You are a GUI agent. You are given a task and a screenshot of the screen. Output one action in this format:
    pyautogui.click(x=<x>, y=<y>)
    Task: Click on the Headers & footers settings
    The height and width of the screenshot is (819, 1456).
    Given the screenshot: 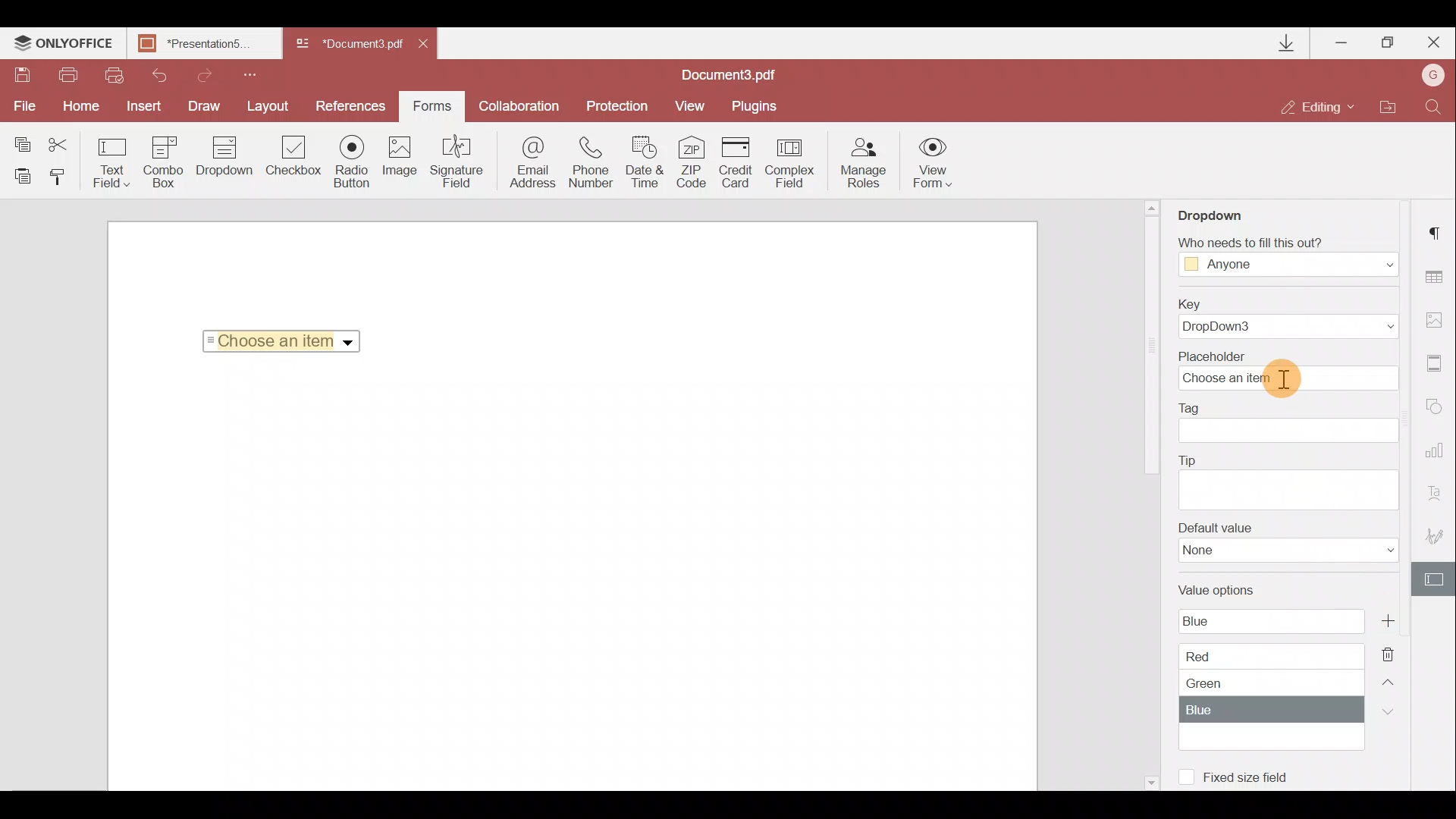 What is the action you would take?
    pyautogui.click(x=1439, y=364)
    